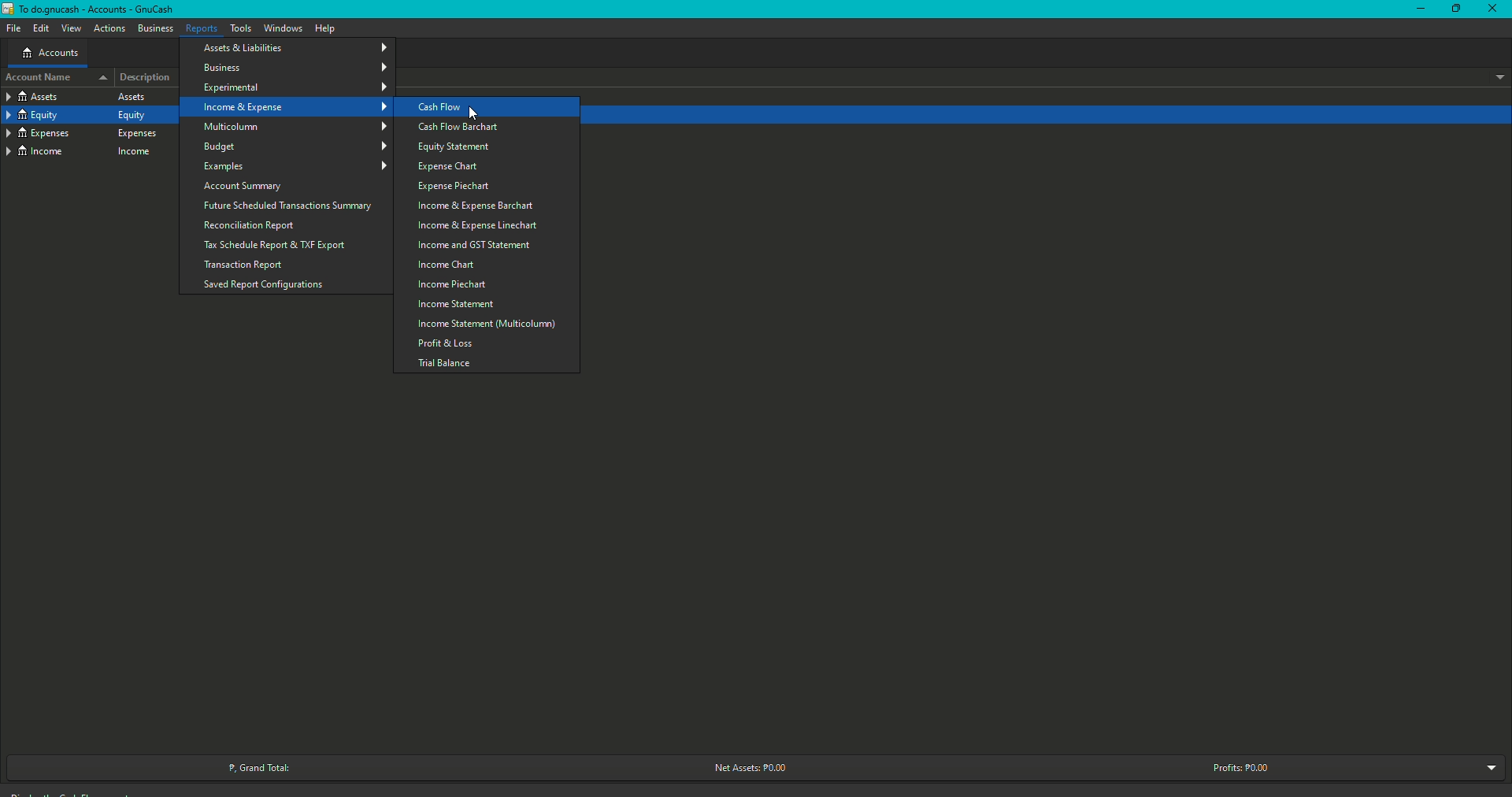 This screenshot has width=1512, height=797. What do you see at coordinates (91, 10) in the screenshot?
I see `GnuCash` at bounding box center [91, 10].